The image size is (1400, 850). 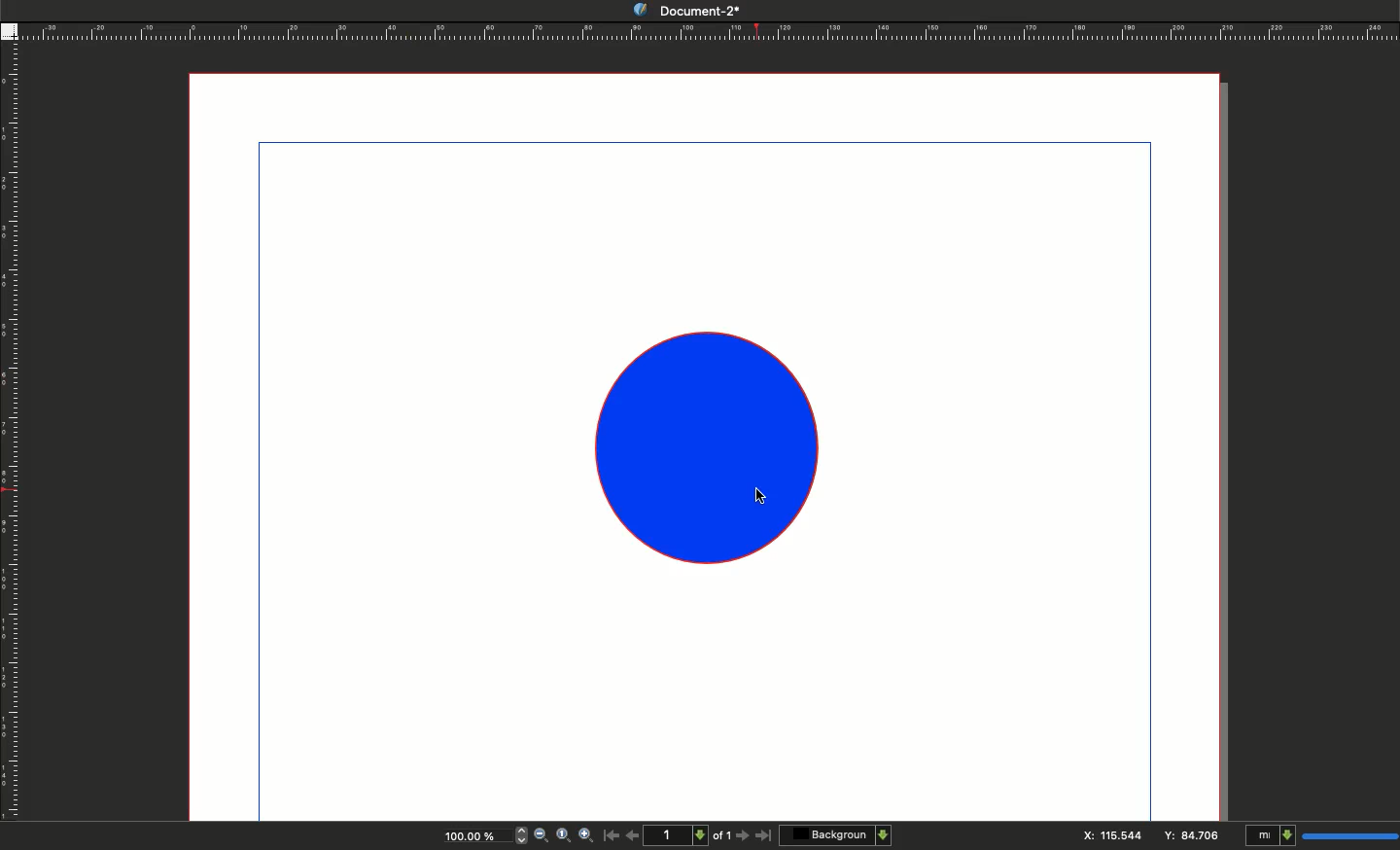 I want to click on 100.00%, so click(x=468, y=838).